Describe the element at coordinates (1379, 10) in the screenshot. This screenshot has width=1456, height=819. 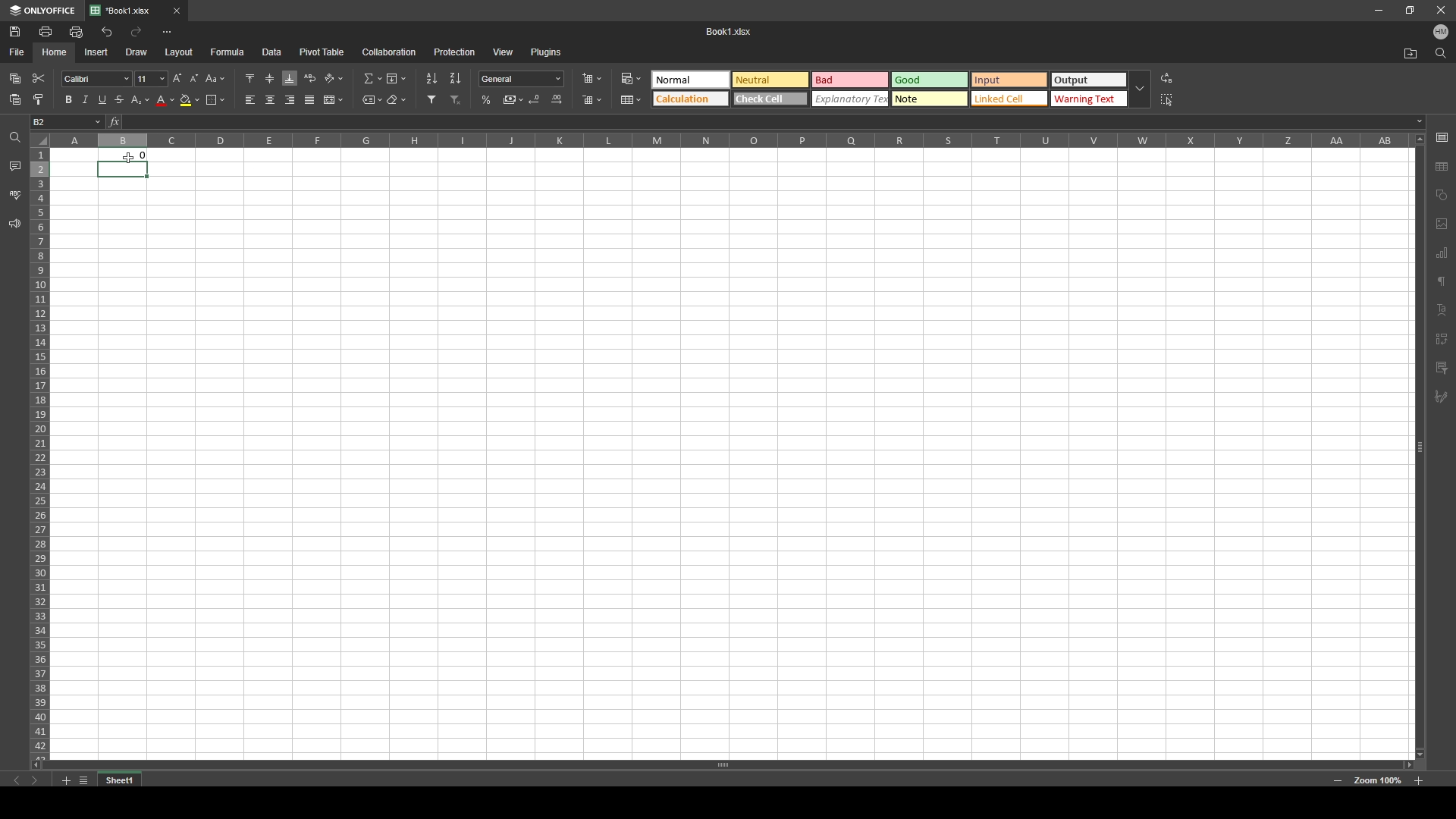
I see `minimize` at that location.